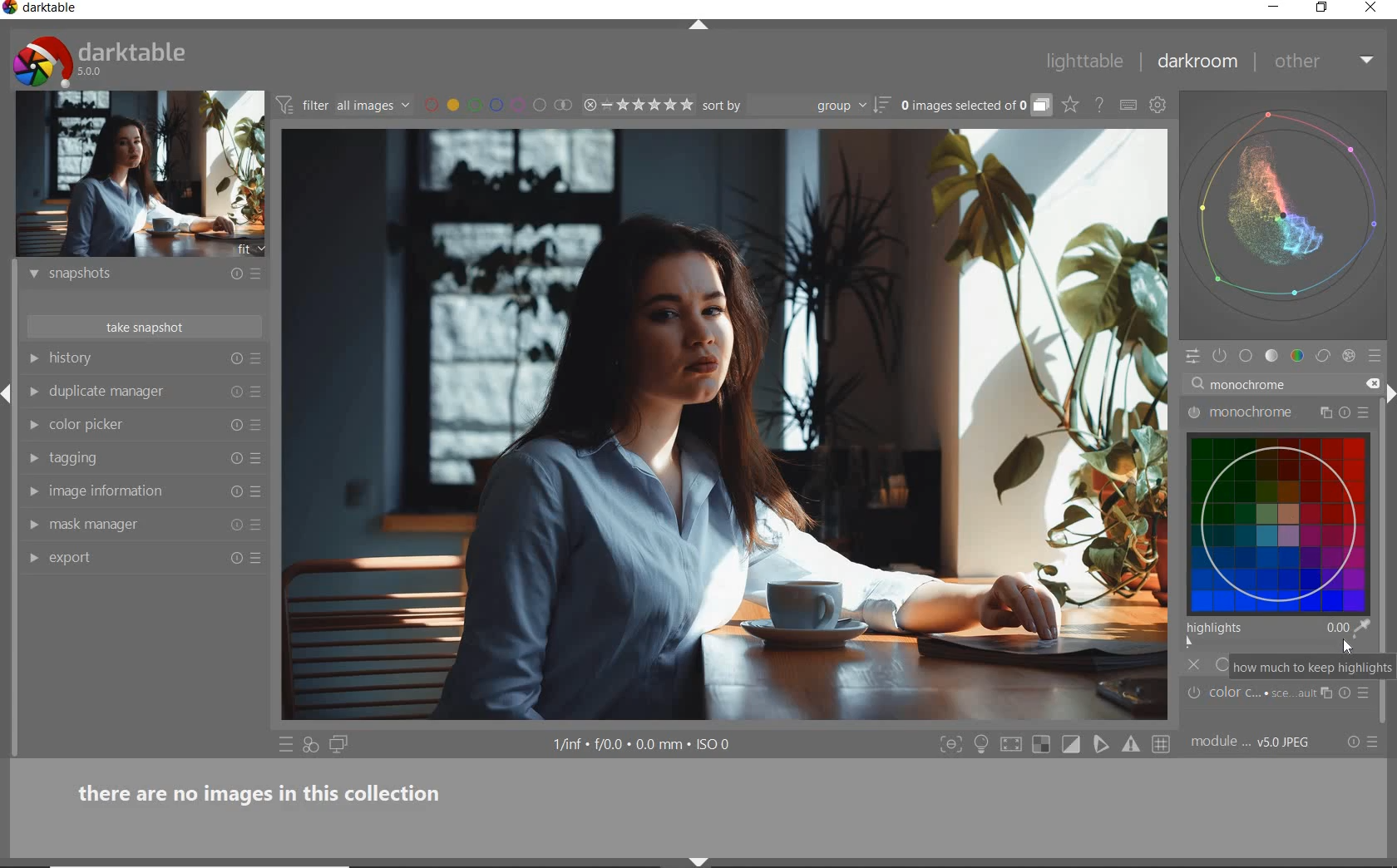  Describe the element at coordinates (1040, 746) in the screenshot. I see `shift+o` at that location.